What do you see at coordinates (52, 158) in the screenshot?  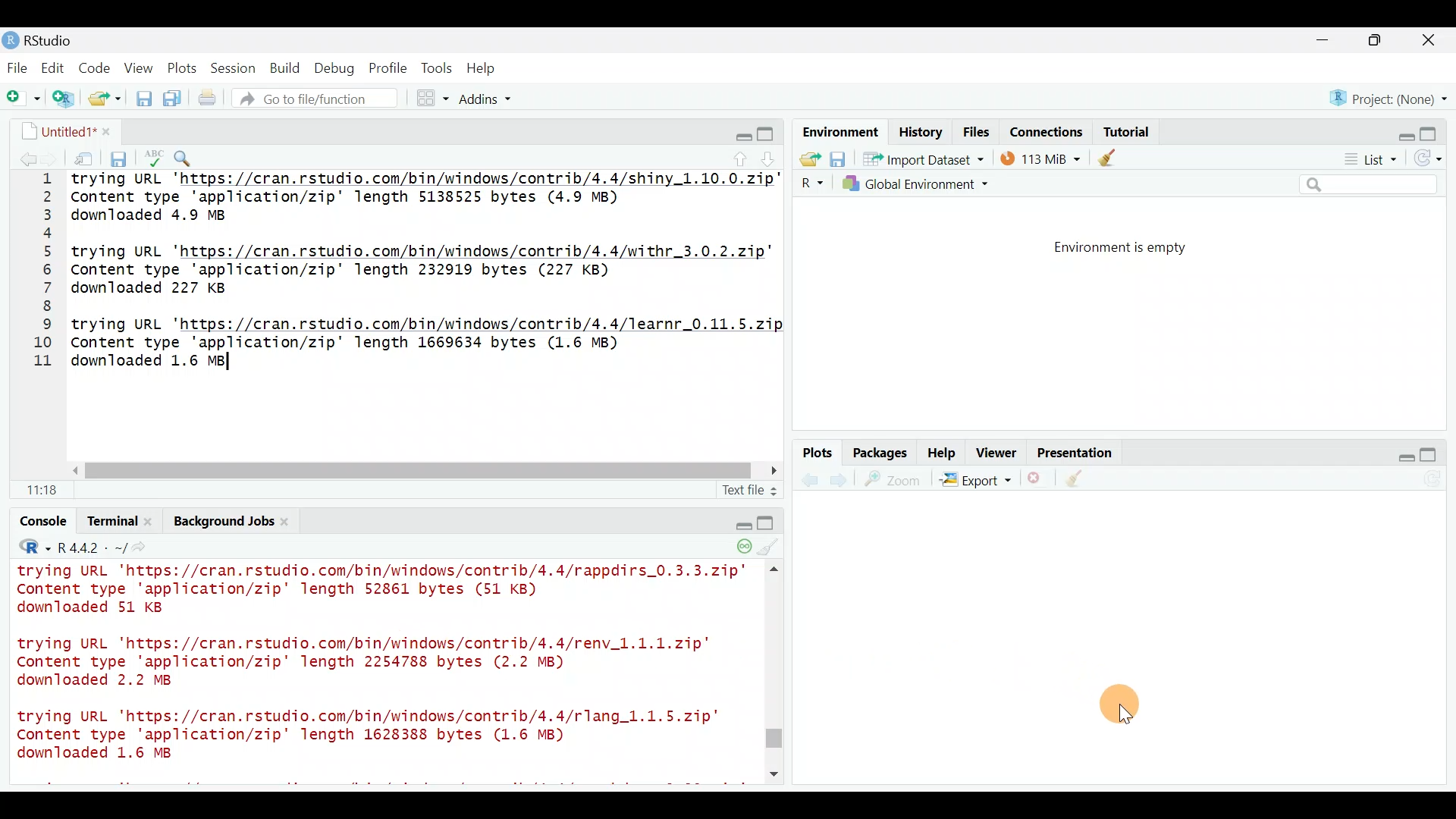 I see `go forward to next source location` at bounding box center [52, 158].